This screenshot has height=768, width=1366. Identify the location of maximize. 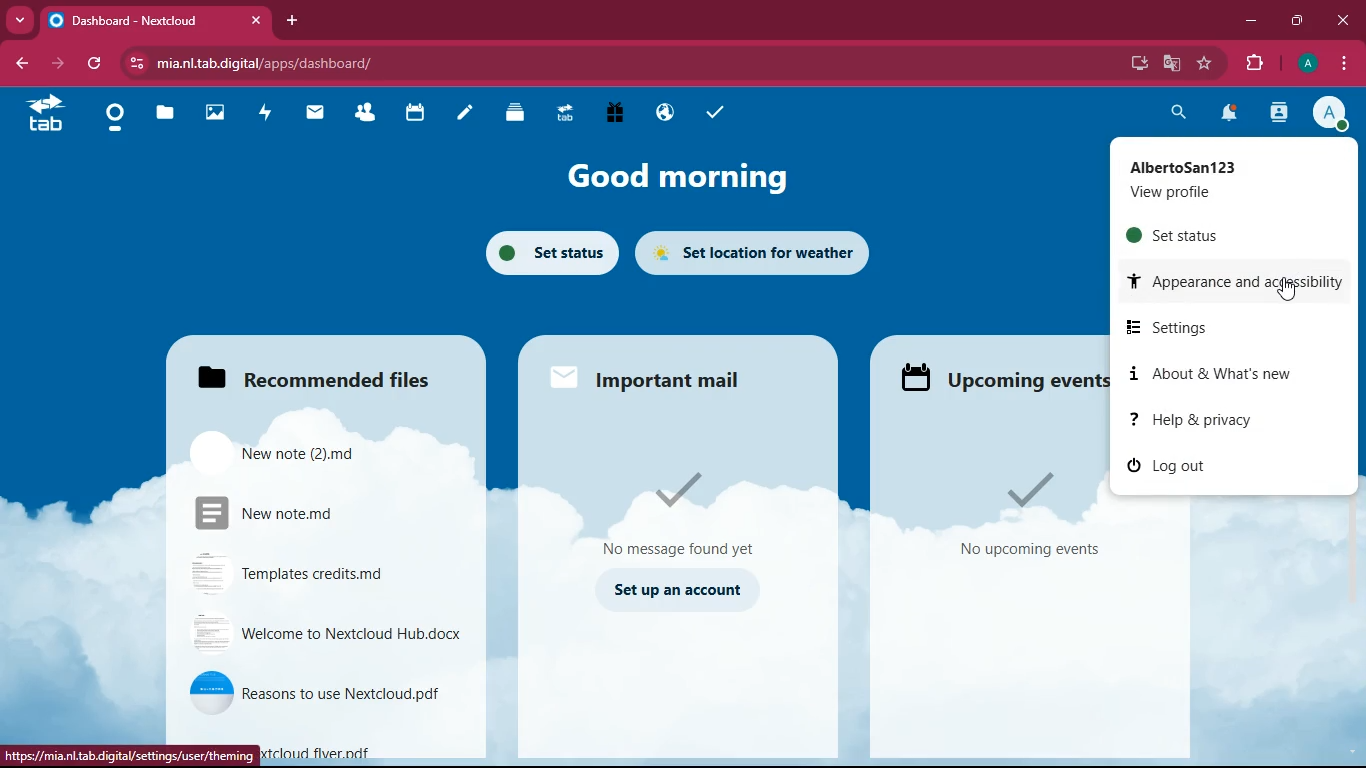
(1300, 19).